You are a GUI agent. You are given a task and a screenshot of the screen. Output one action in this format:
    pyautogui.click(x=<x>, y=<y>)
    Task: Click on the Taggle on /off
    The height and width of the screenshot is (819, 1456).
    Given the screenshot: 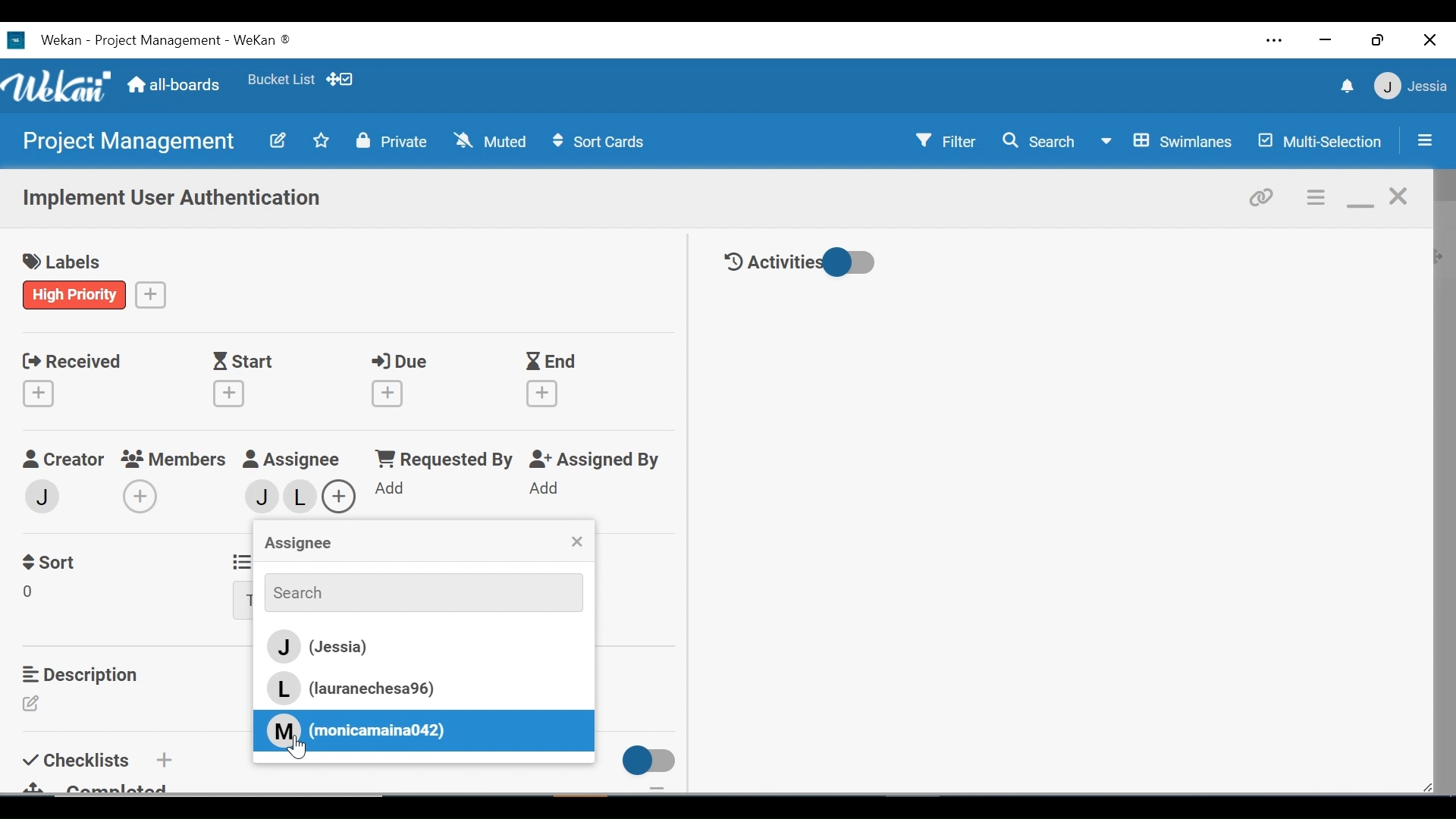 What is the action you would take?
    pyautogui.click(x=644, y=761)
    